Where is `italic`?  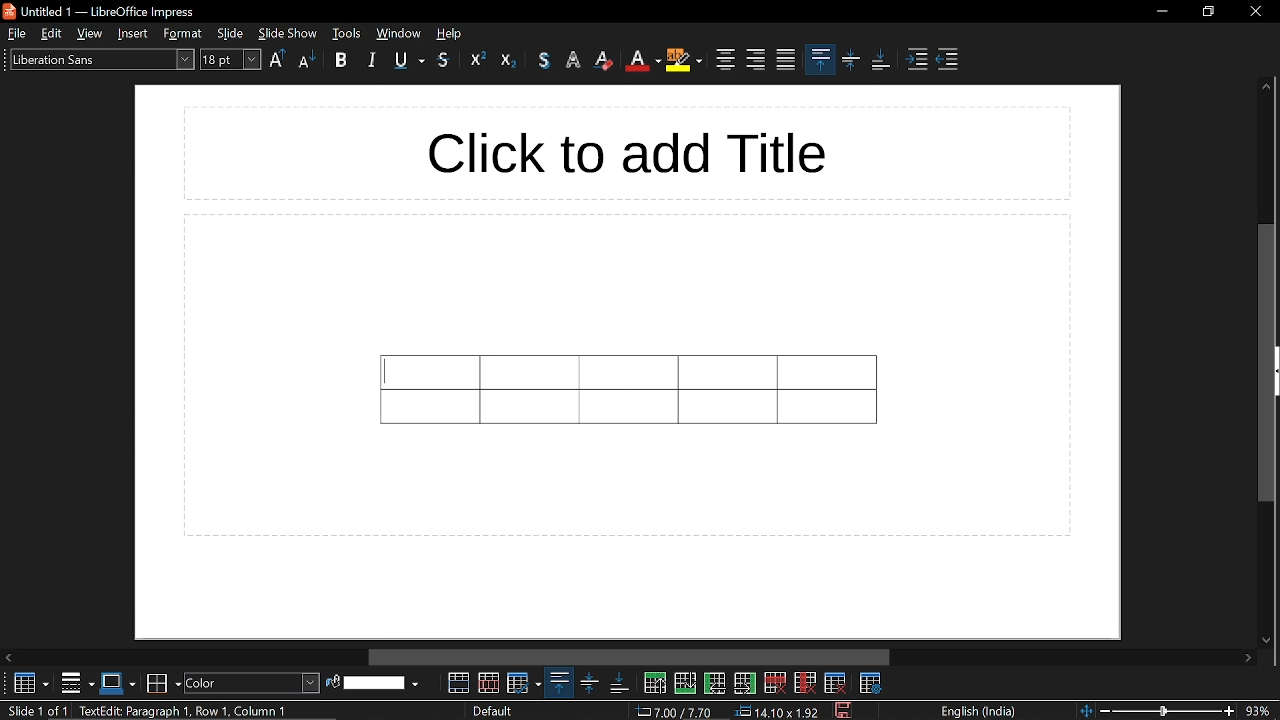
italic is located at coordinates (372, 58).